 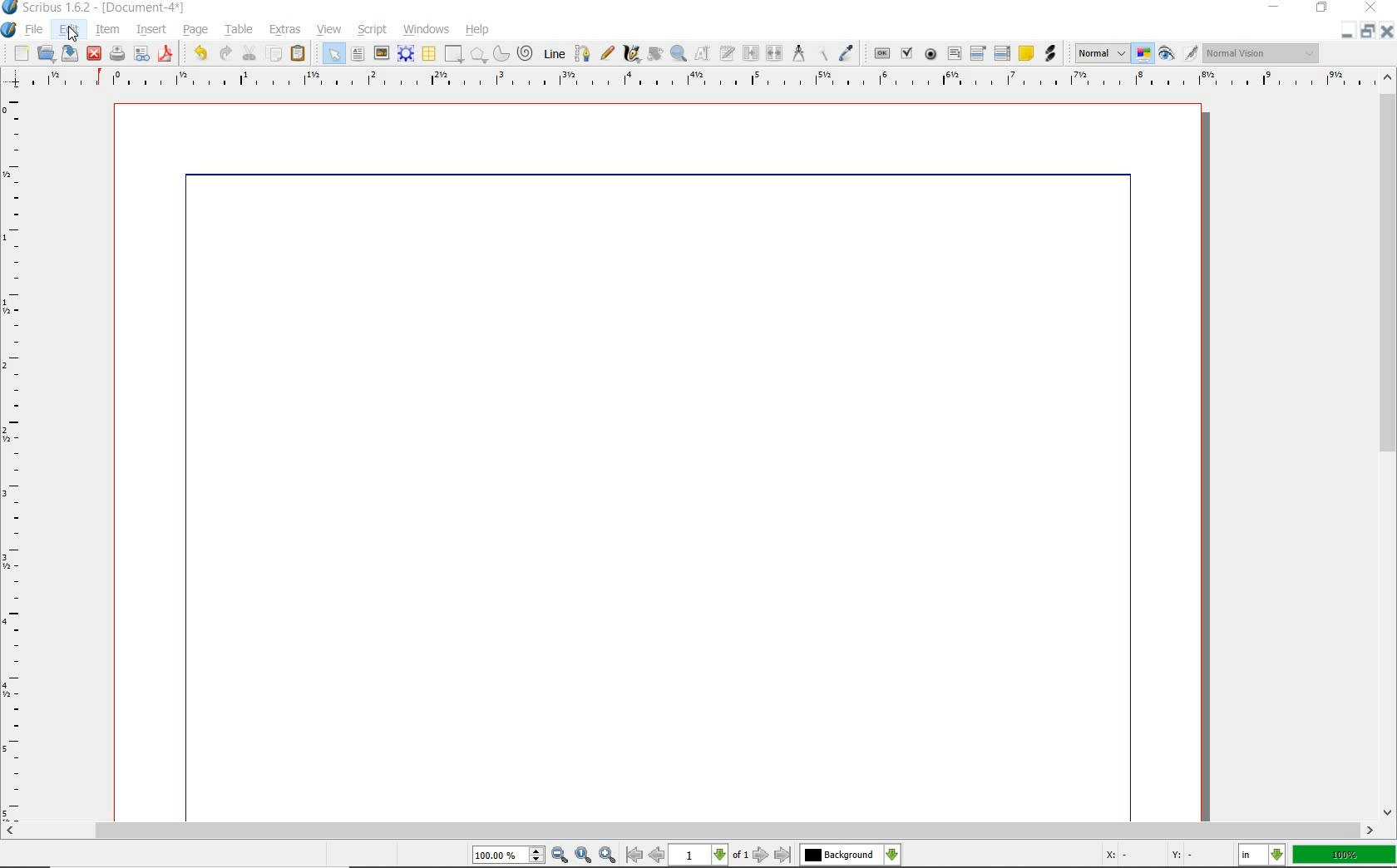 What do you see at coordinates (605, 54) in the screenshot?
I see `freehand line` at bounding box center [605, 54].